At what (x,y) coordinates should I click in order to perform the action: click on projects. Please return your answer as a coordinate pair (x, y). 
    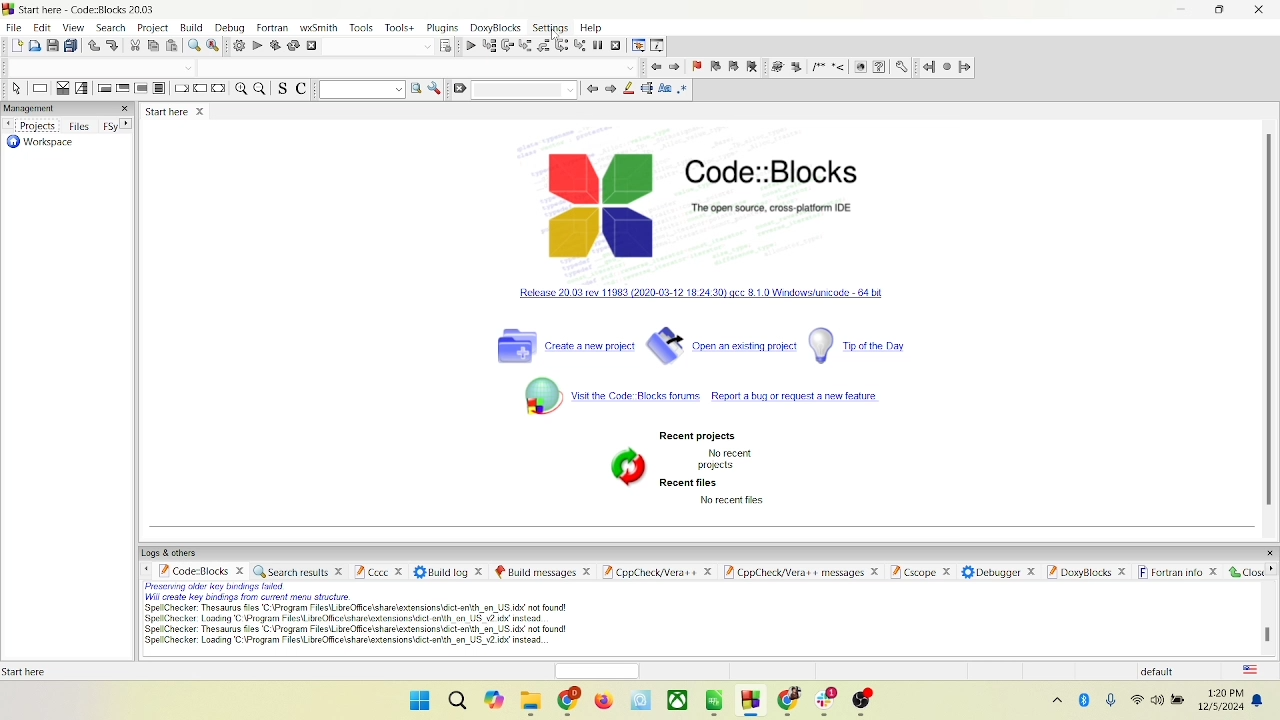
    Looking at the image, I should click on (31, 124).